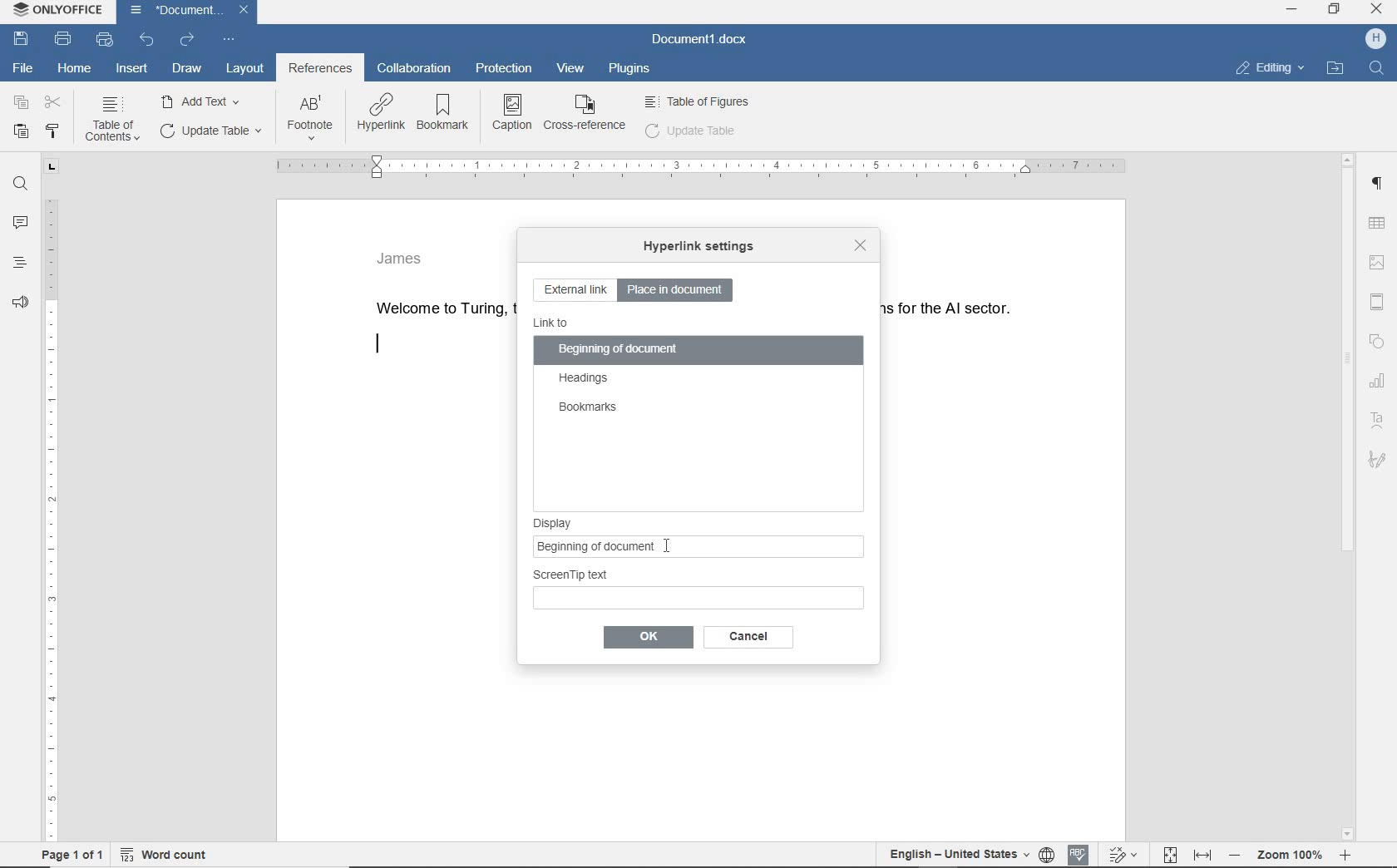 This screenshot has height=868, width=1397. Describe the element at coordinates (1295, 857) in the screenshot. I see `zoom 100%` at that location.